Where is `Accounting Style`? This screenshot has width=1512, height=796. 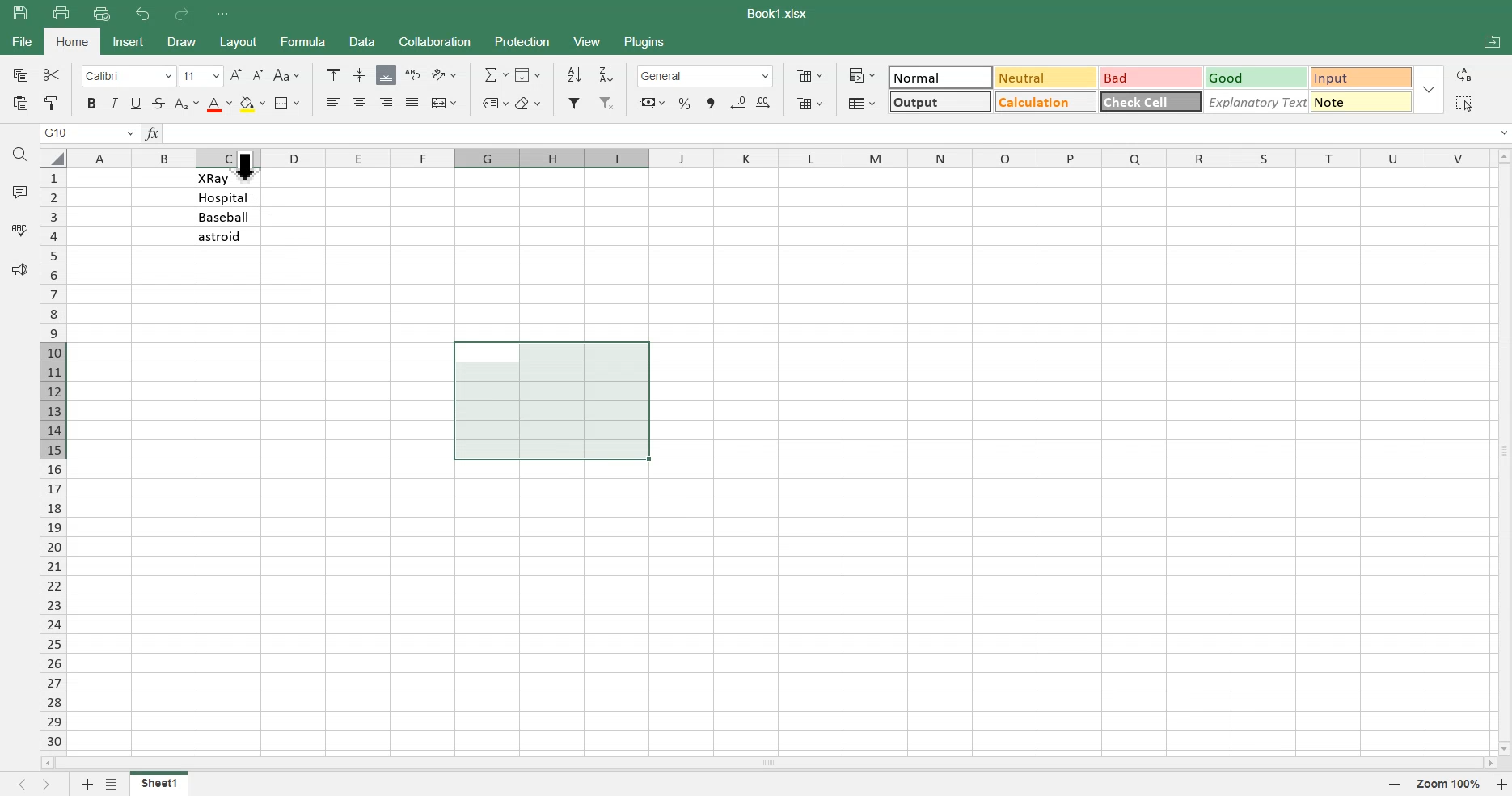 Accounting Style is located at coordinates (650, 103).